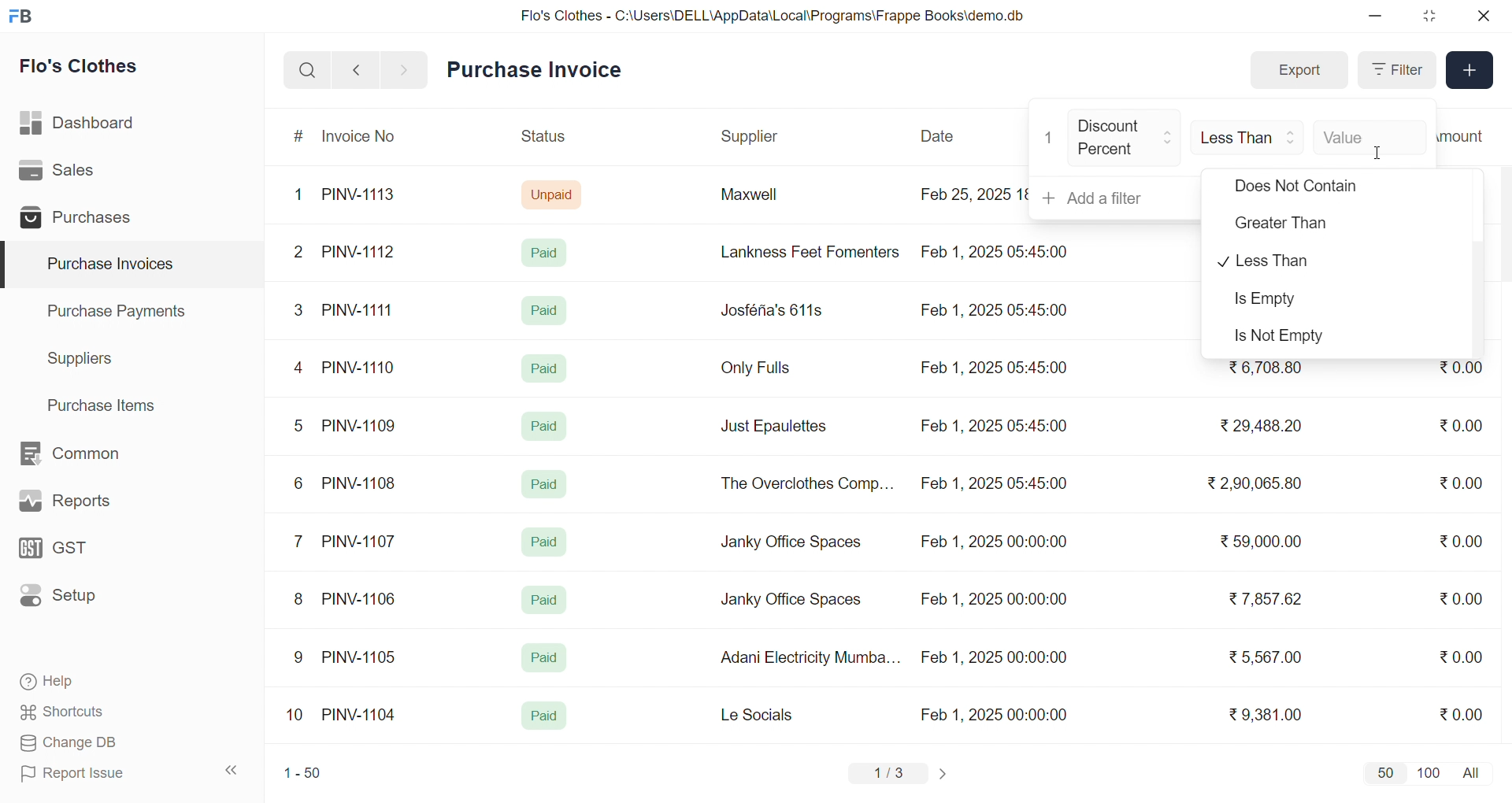  Describe the element at coordinates (360, 483) in the screenshot. I see `PINV-1108` at that location.